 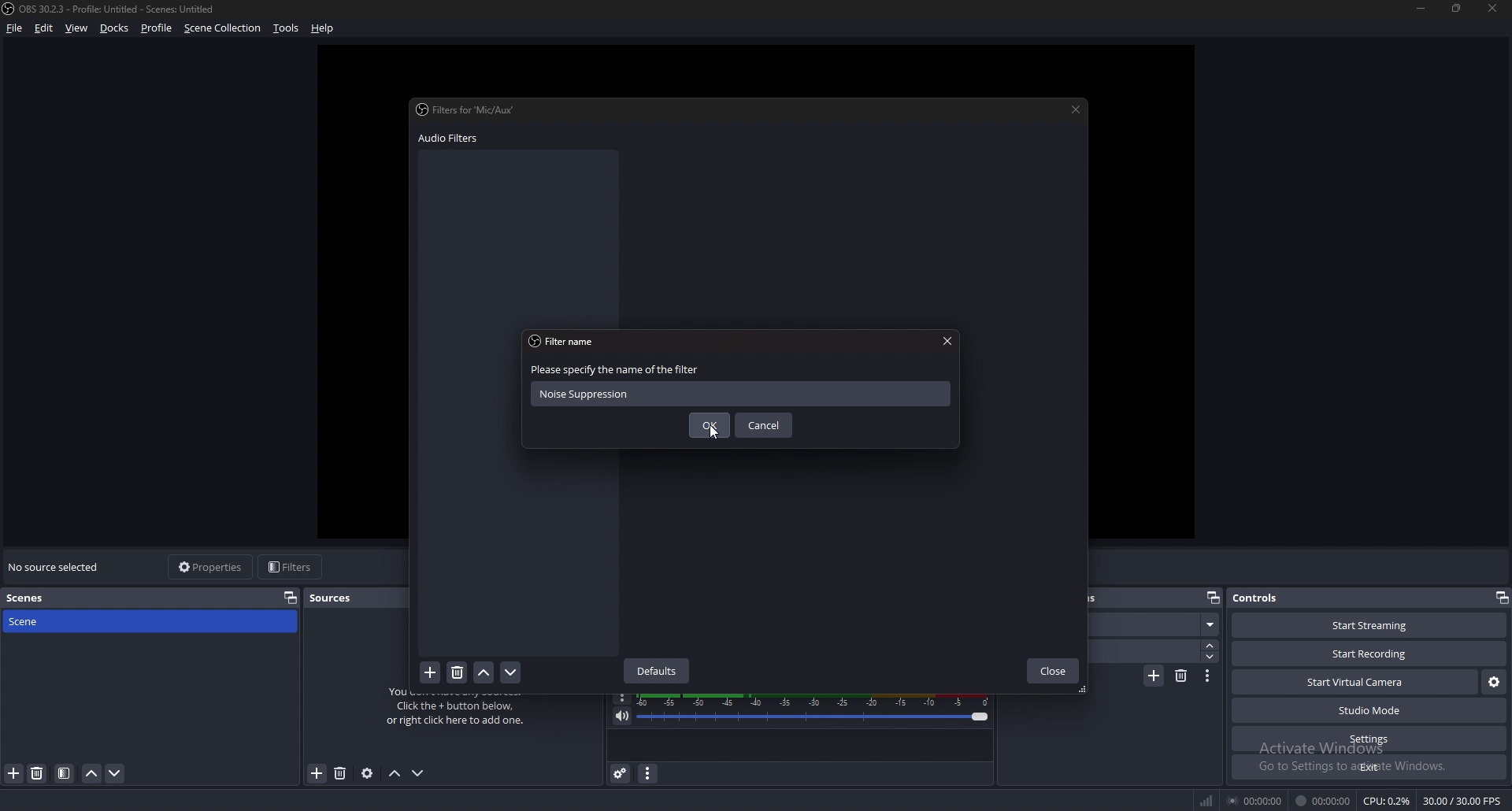 What do you see at coordinates (224, 28) in the screenshot?
I see `scene collection` at bounding box center [224, 28].